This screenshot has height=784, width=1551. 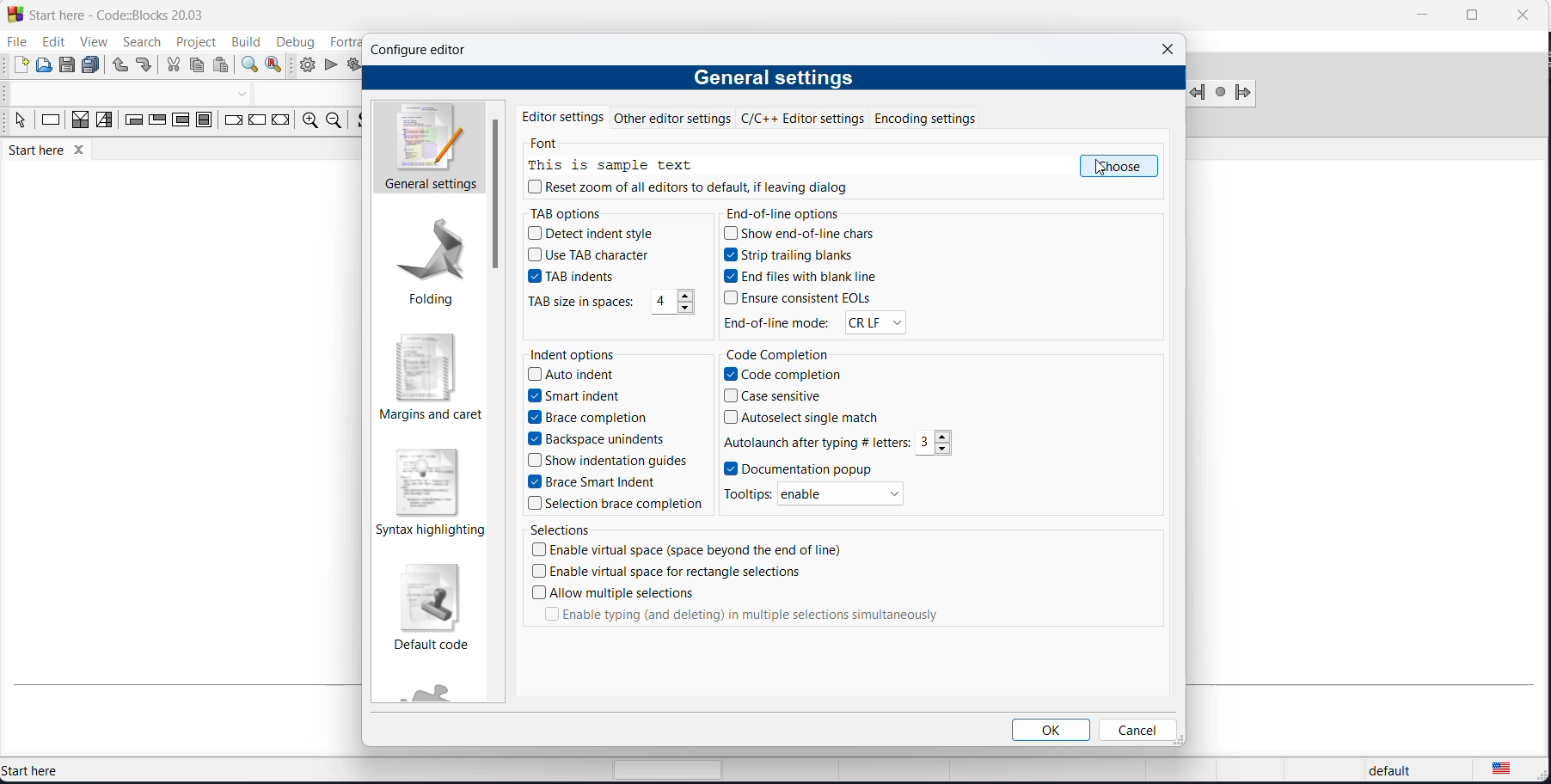 I want to click on end of line mode, so click(x=777, y=322).